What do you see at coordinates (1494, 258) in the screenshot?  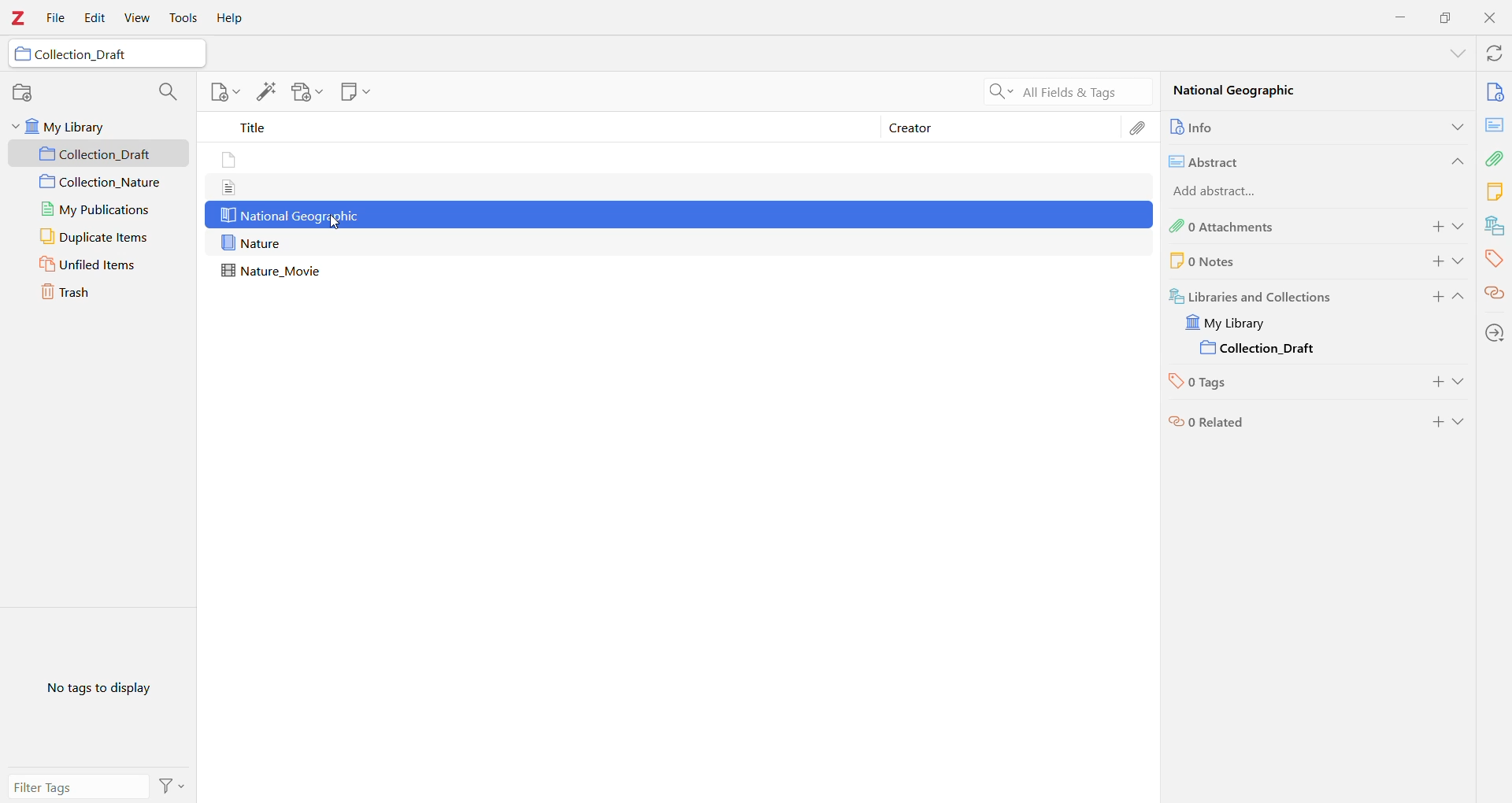 I see `Tags` at bounding box center [1494, 258].